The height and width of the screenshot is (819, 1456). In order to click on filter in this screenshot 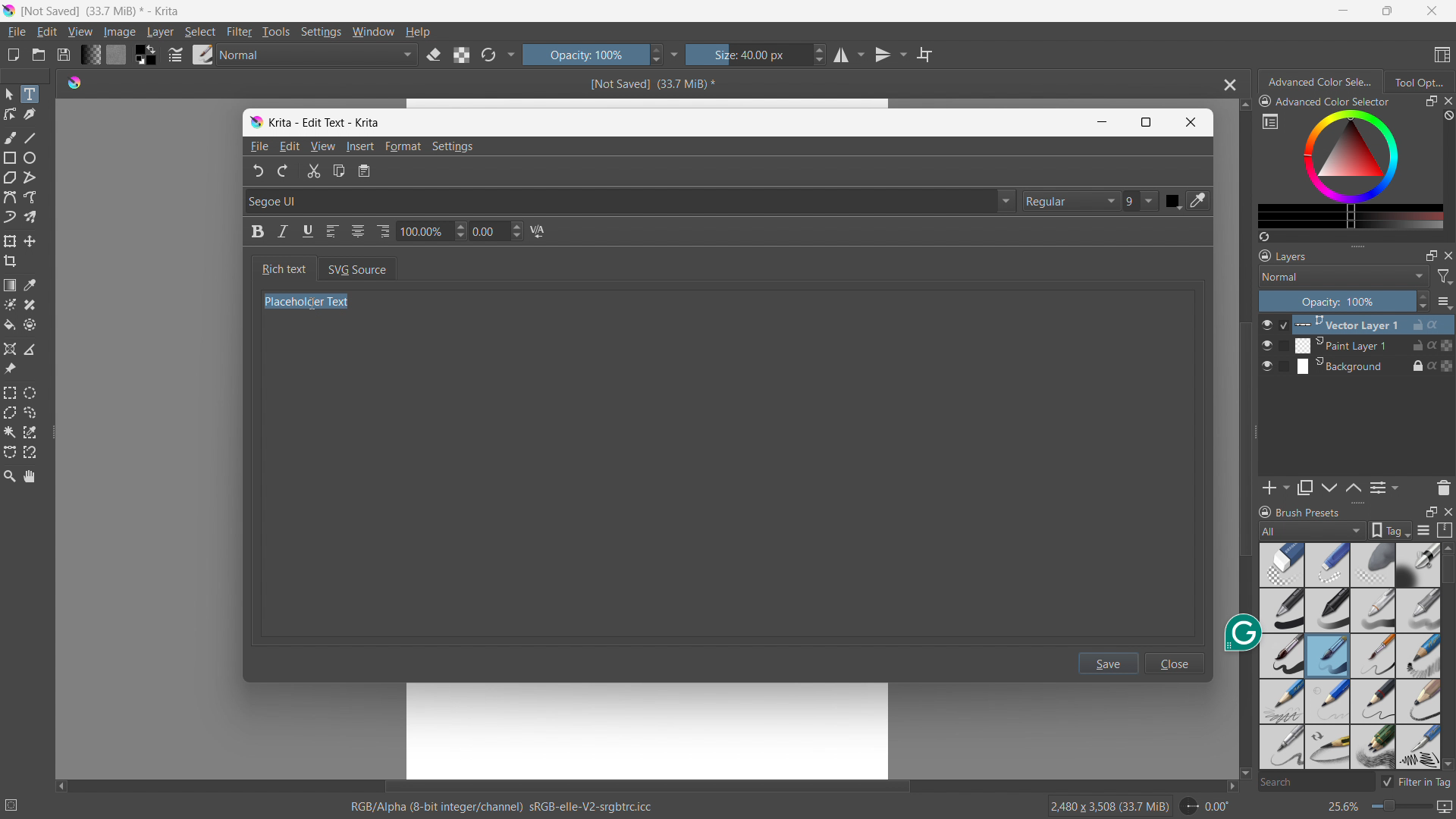, I will do `click(240, 32)`.